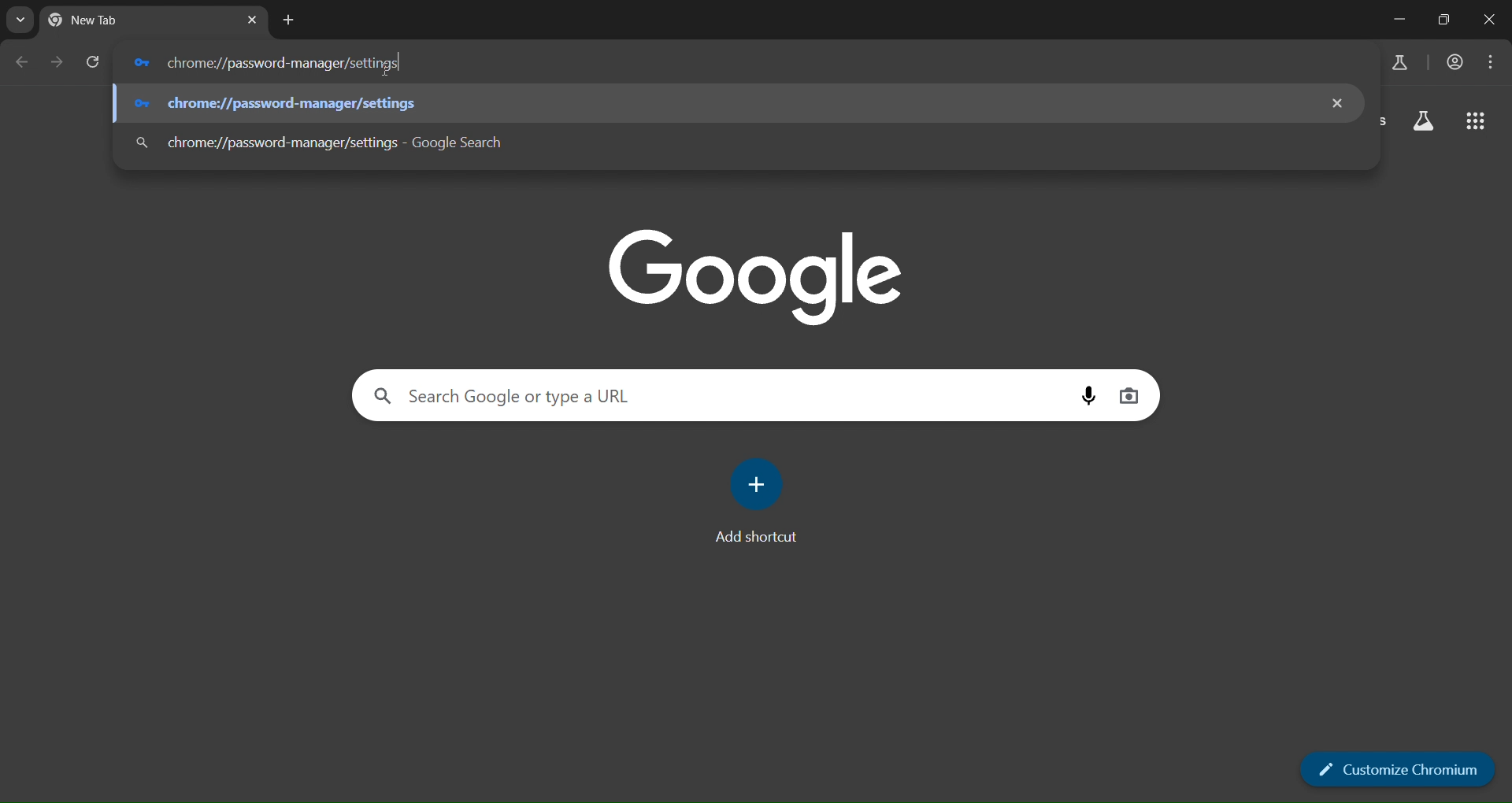 Image resolution: width=1512 pixels, height=803 pixels. What do you see at coordinates (1456, 61) in the screenshot?
I see `accounts` at bounding box center [1456, 61].